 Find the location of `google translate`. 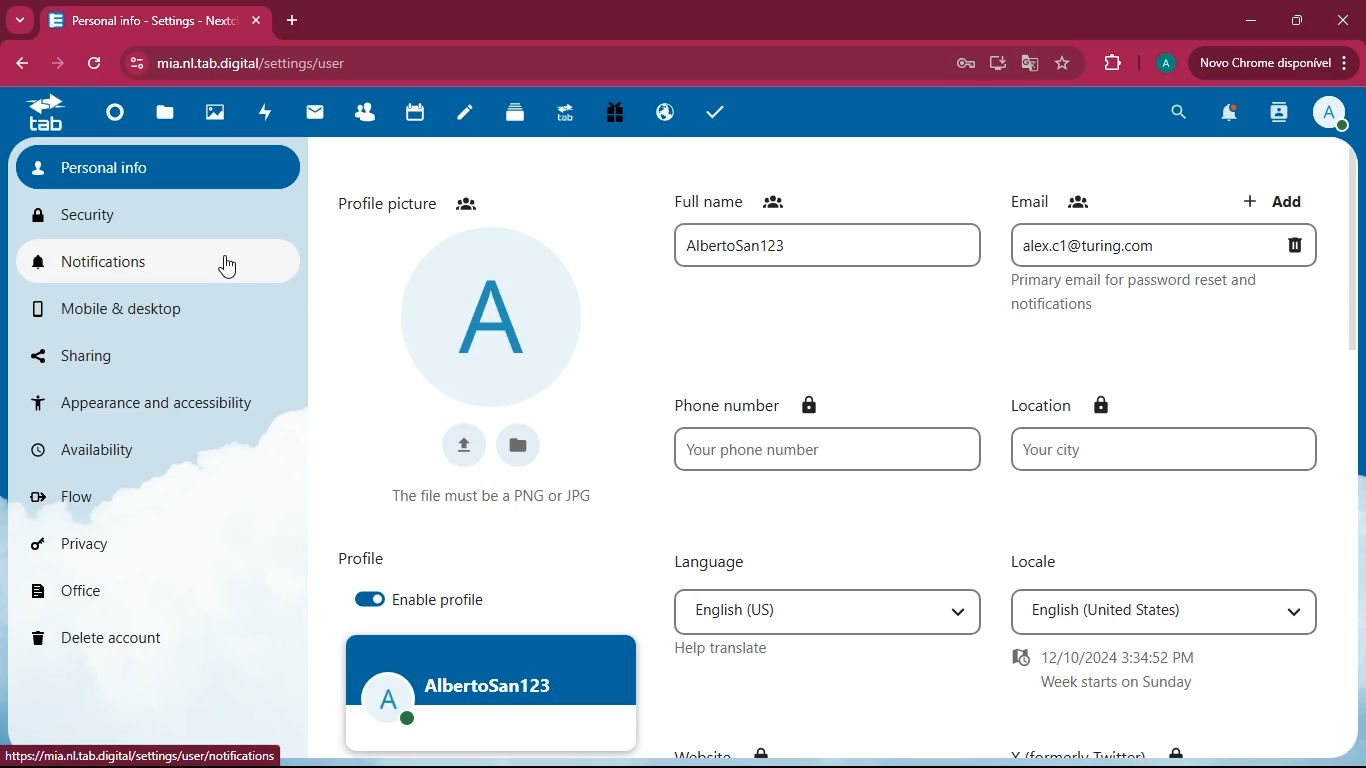

google translate is located at coordinates (1028, 61).